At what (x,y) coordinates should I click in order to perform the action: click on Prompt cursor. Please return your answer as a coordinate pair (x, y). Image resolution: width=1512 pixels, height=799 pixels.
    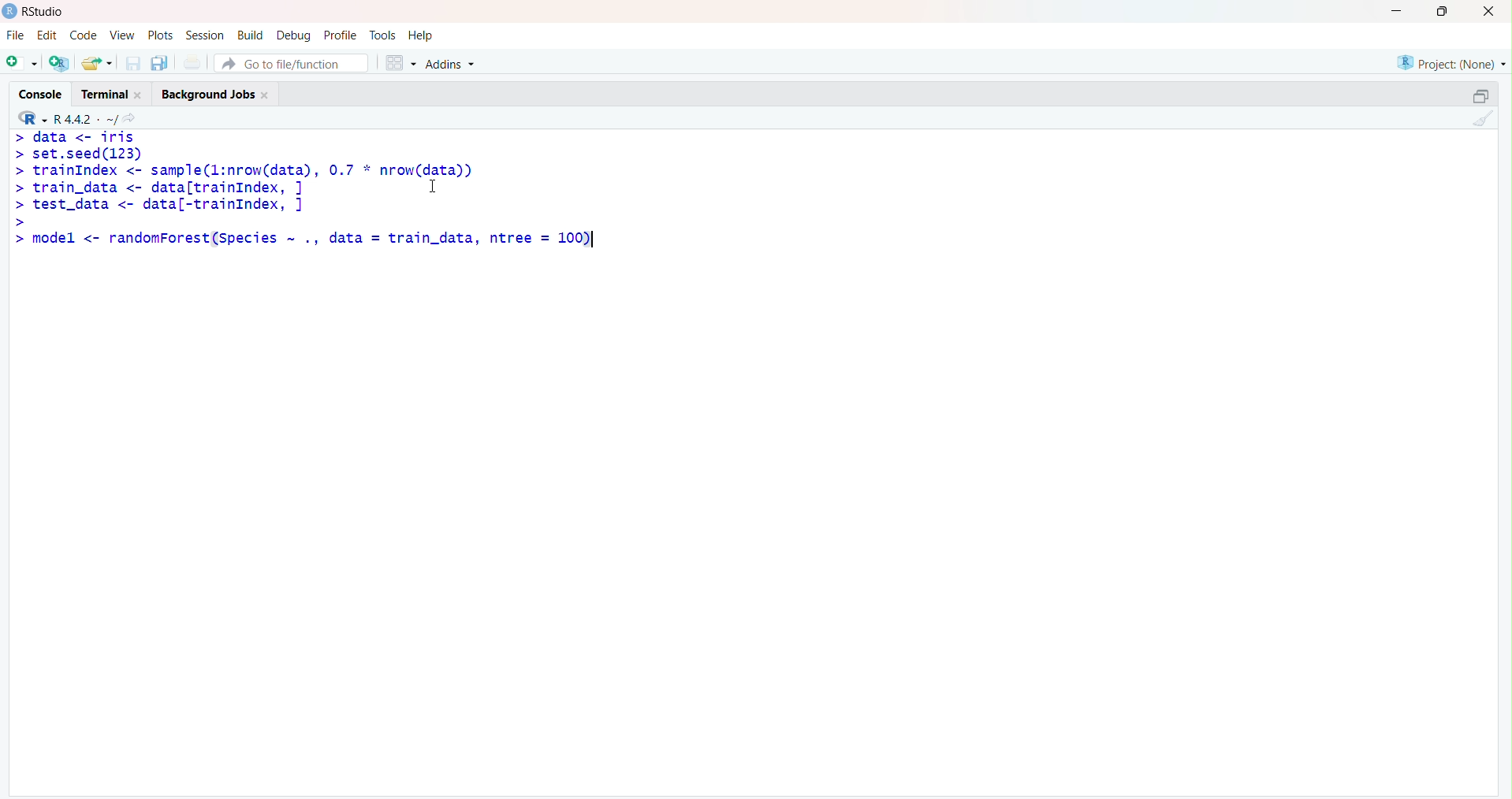
    Looking at the image, I should click on (15, 238).